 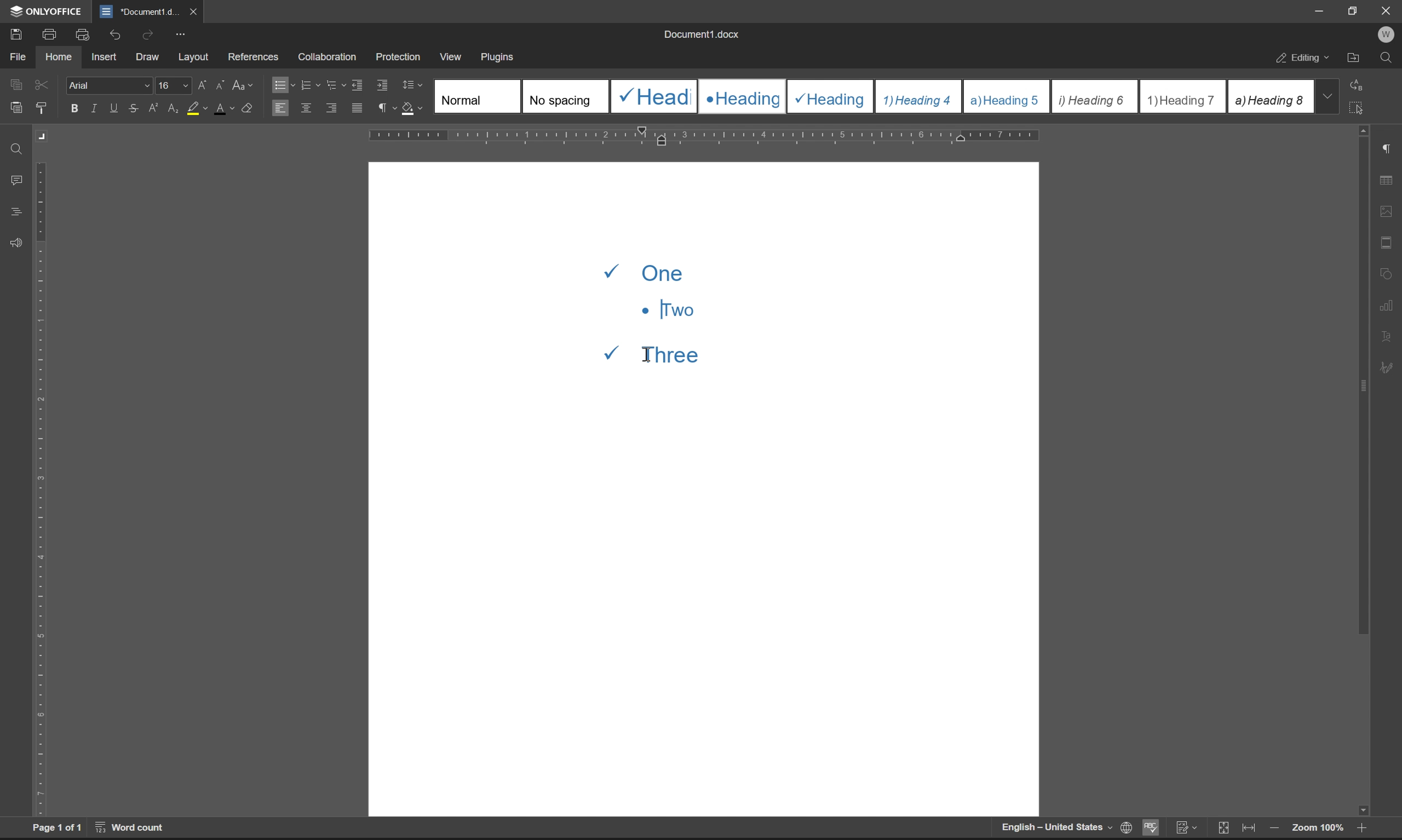 I want to click on image settings, so click(x=1386, y=208).